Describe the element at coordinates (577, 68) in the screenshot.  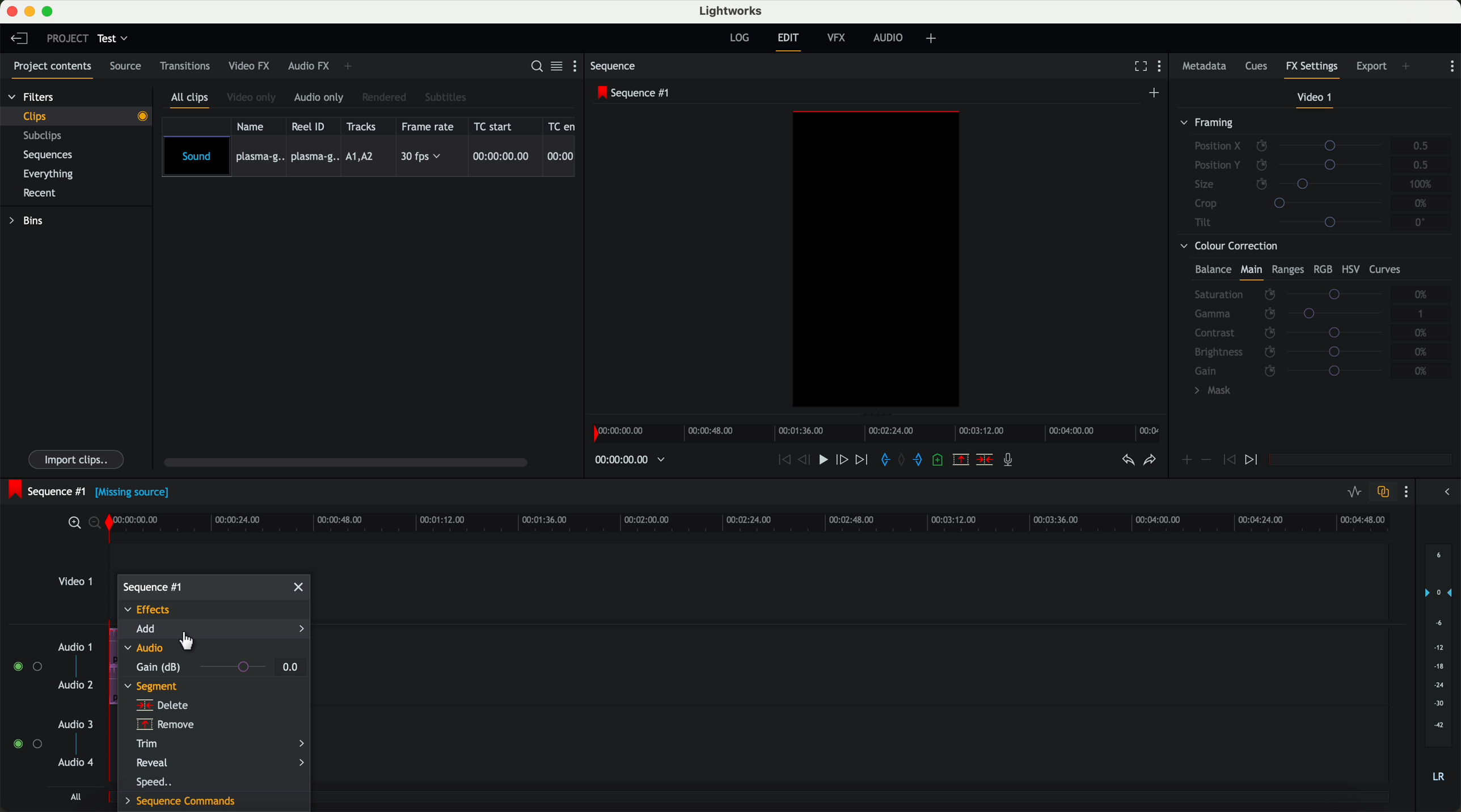
I see `show settings menu` at that location.